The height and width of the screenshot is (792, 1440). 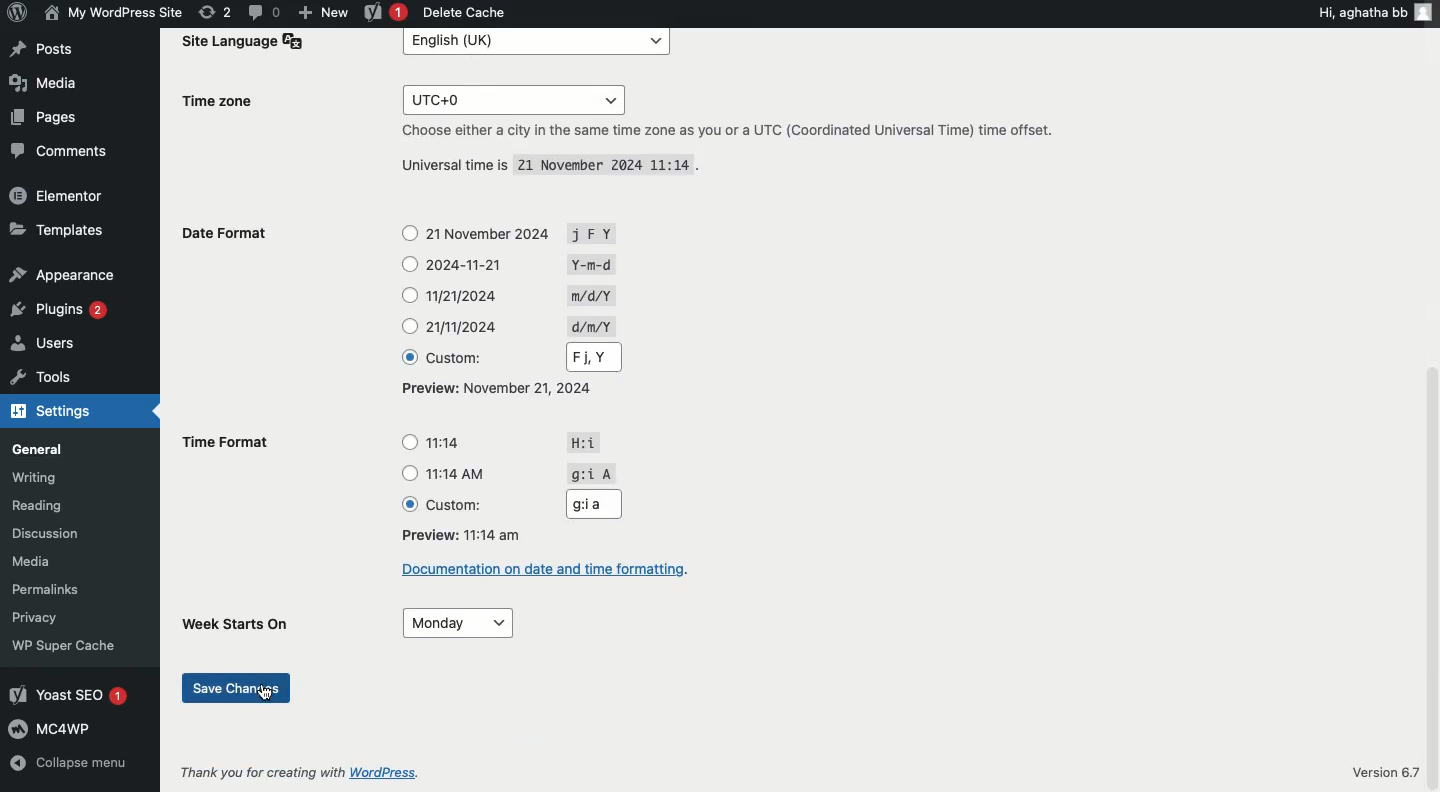 I want to click on Elementor, so click(x=60, y=196).